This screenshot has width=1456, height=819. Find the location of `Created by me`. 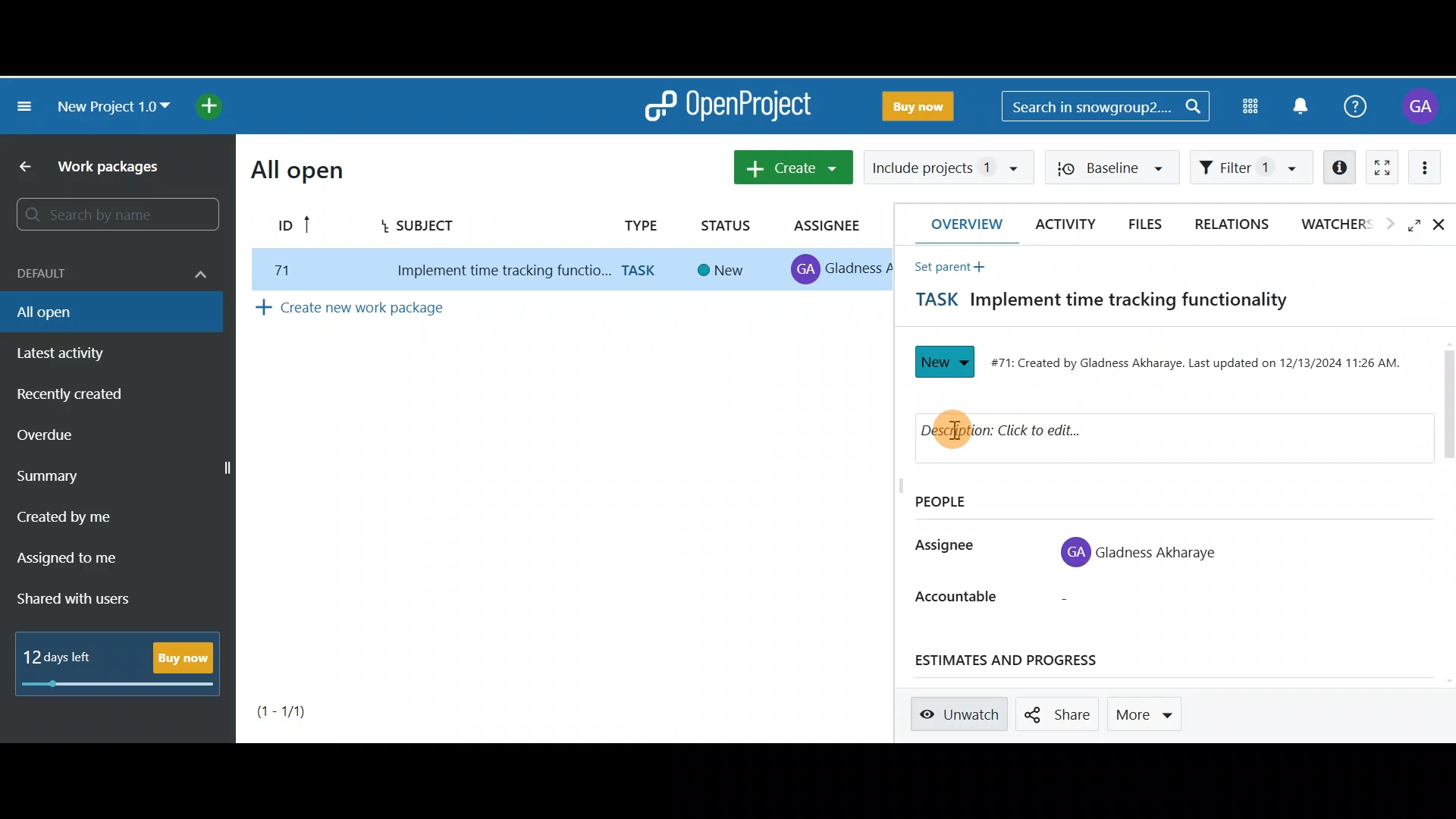

Created by me is located at coordinates (85, 511).